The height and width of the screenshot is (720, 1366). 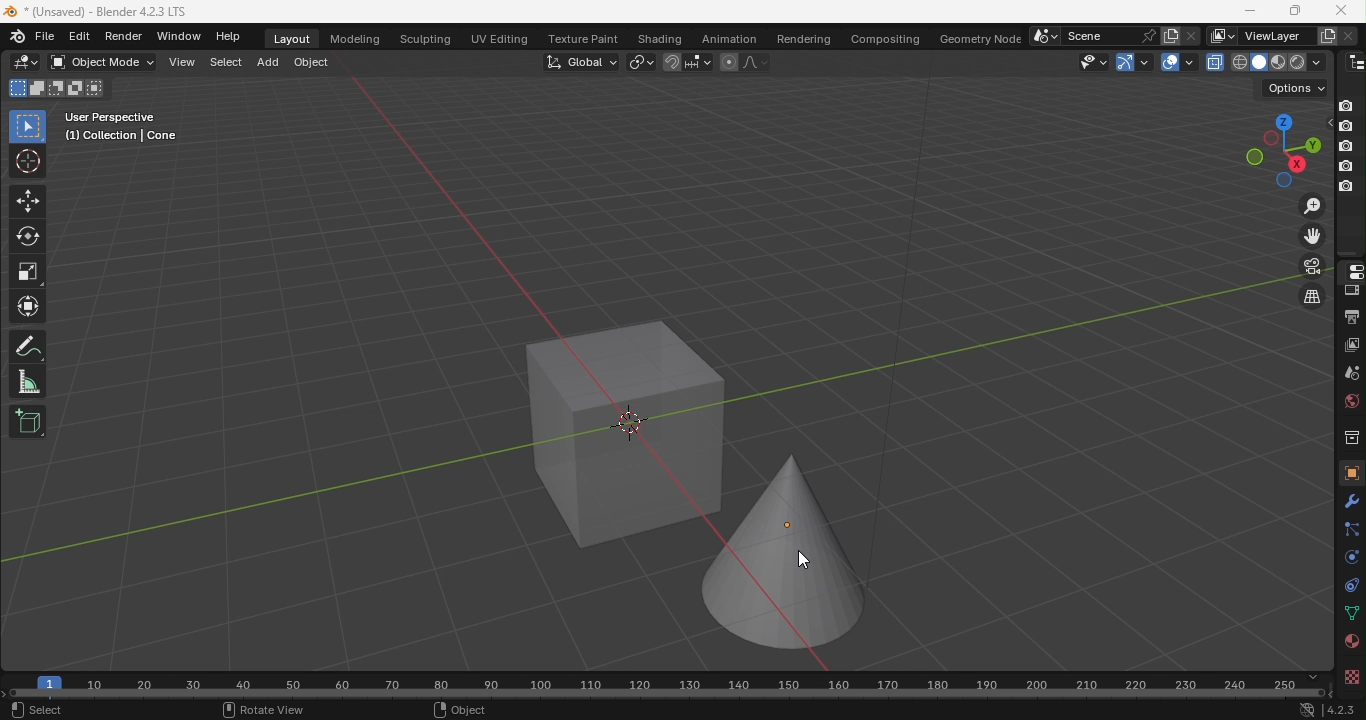 What do you see at coordinates (585, 40) in the screenshot?
I see `Texture paint` at bounding box center [585, 40].